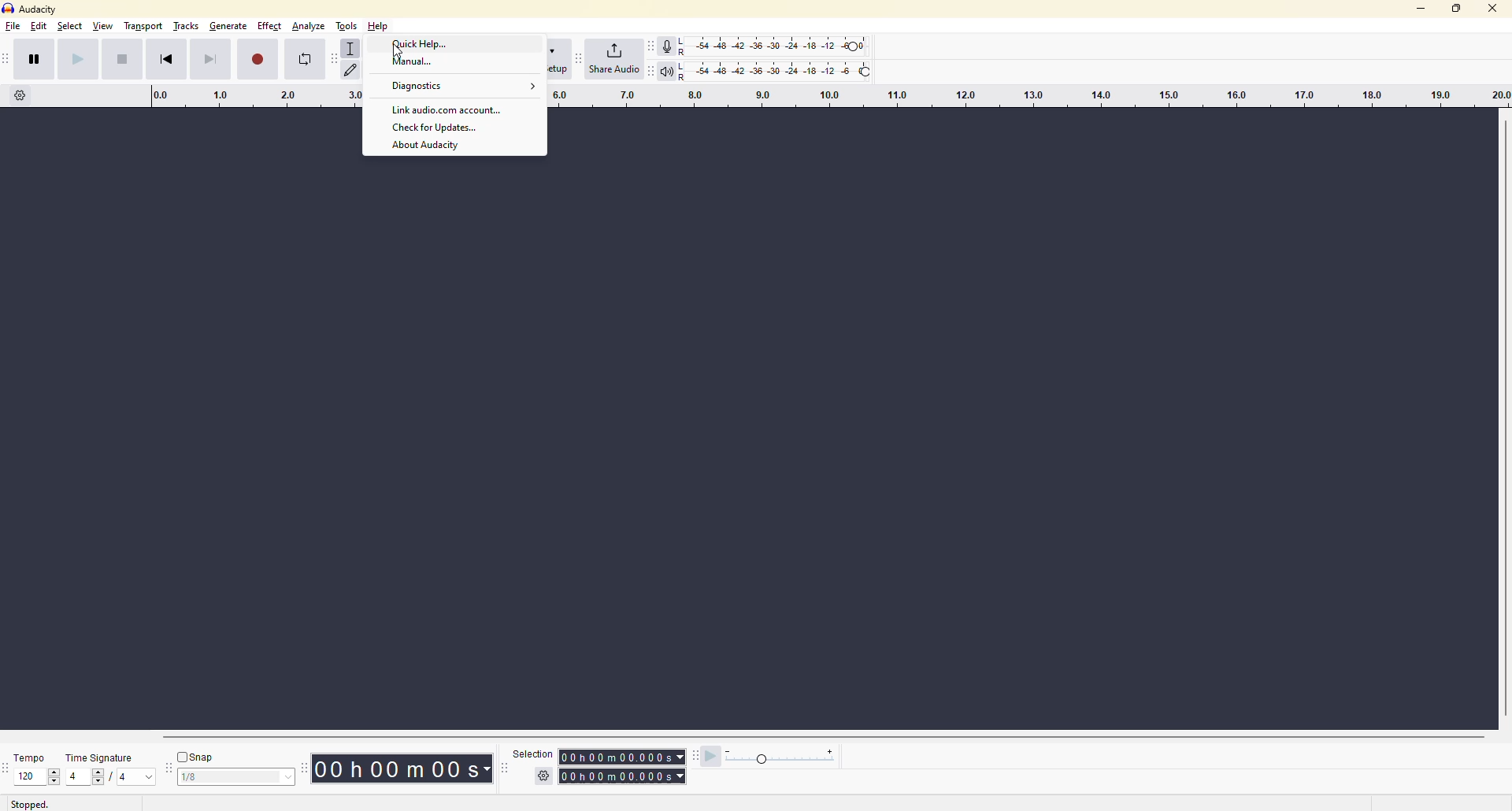 This screenshot has height=811, width=1512. What do you see at coordinates (402, 768) in the screenshot?
I see `time` at bounding box center [402, 768].